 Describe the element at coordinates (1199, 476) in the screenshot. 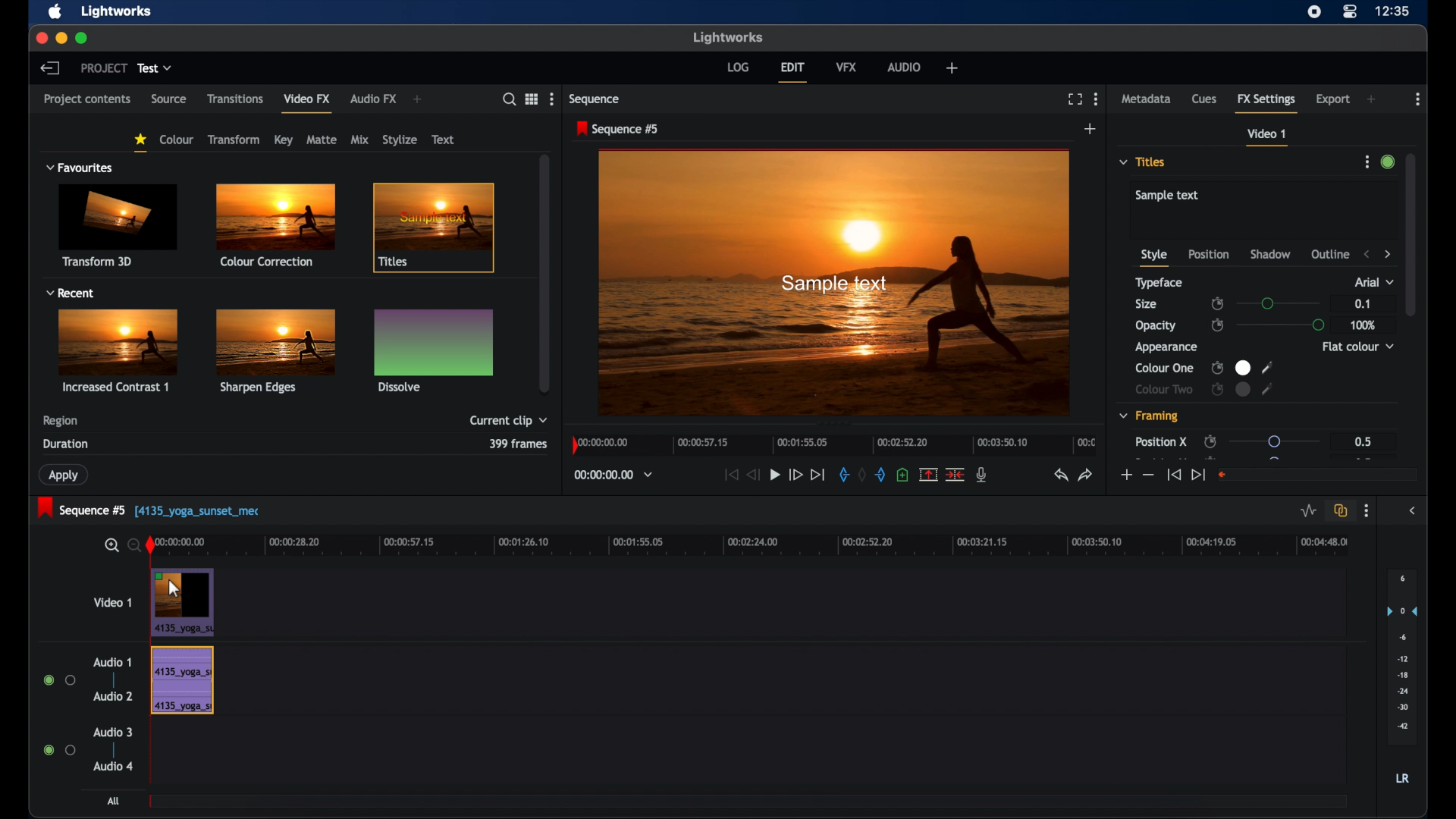

I see `jump to end` at that location.